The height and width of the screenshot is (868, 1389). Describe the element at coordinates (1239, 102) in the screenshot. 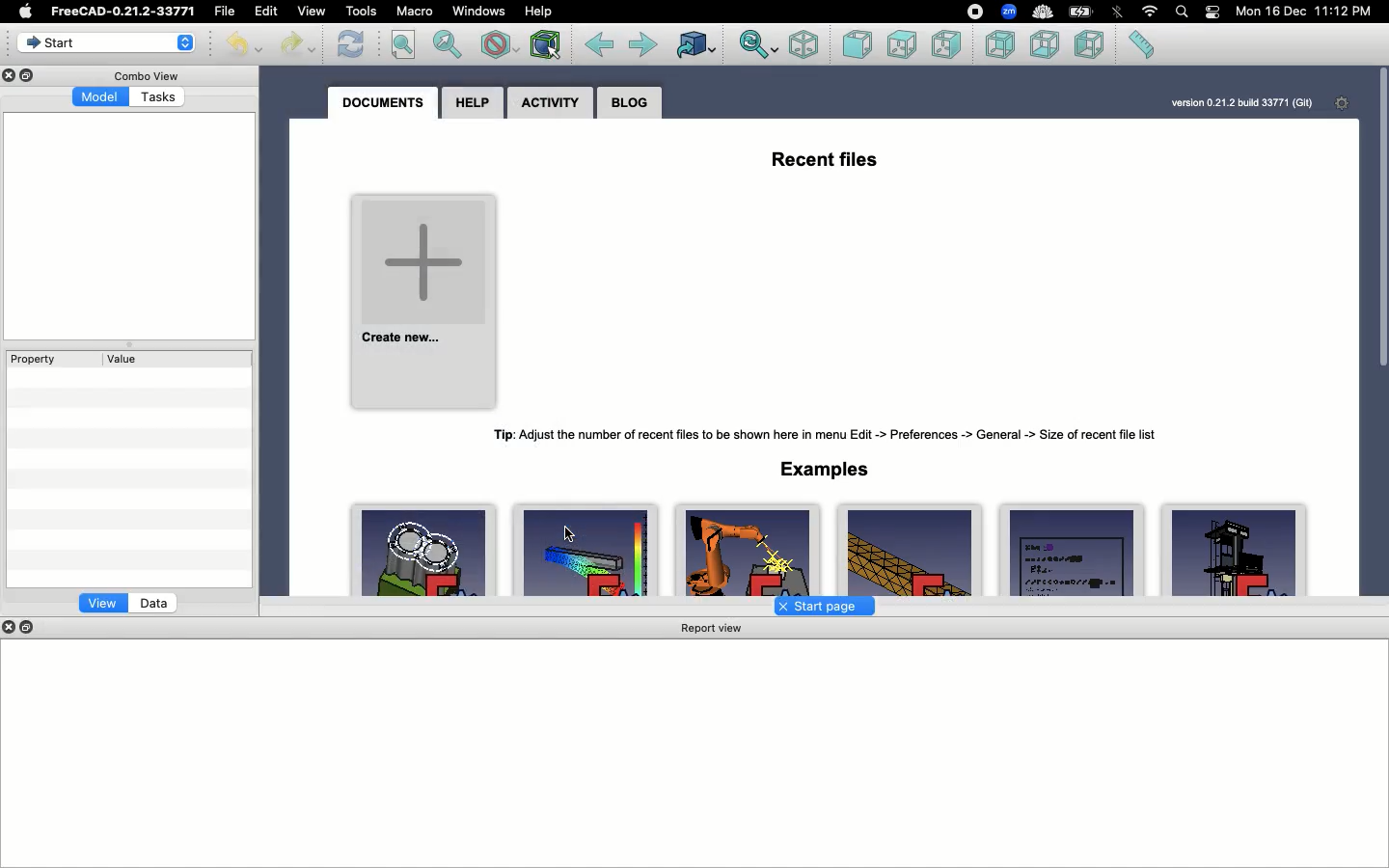

I see `version 0.21.2 bulld 33771 (Git)` at that location.